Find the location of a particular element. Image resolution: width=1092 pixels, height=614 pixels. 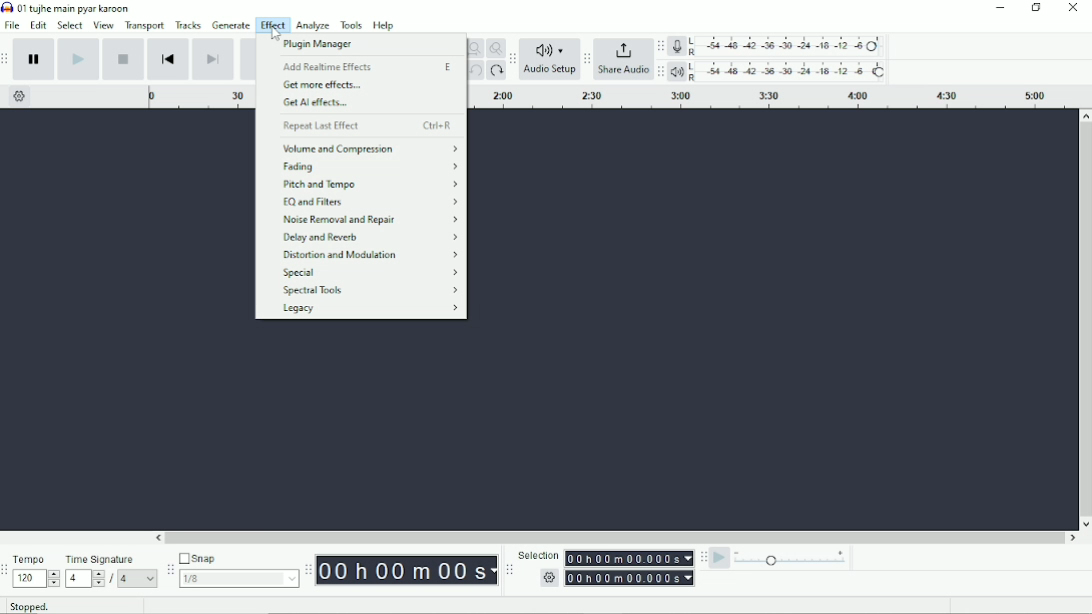

Minimize is located at coordinates (996, 8).